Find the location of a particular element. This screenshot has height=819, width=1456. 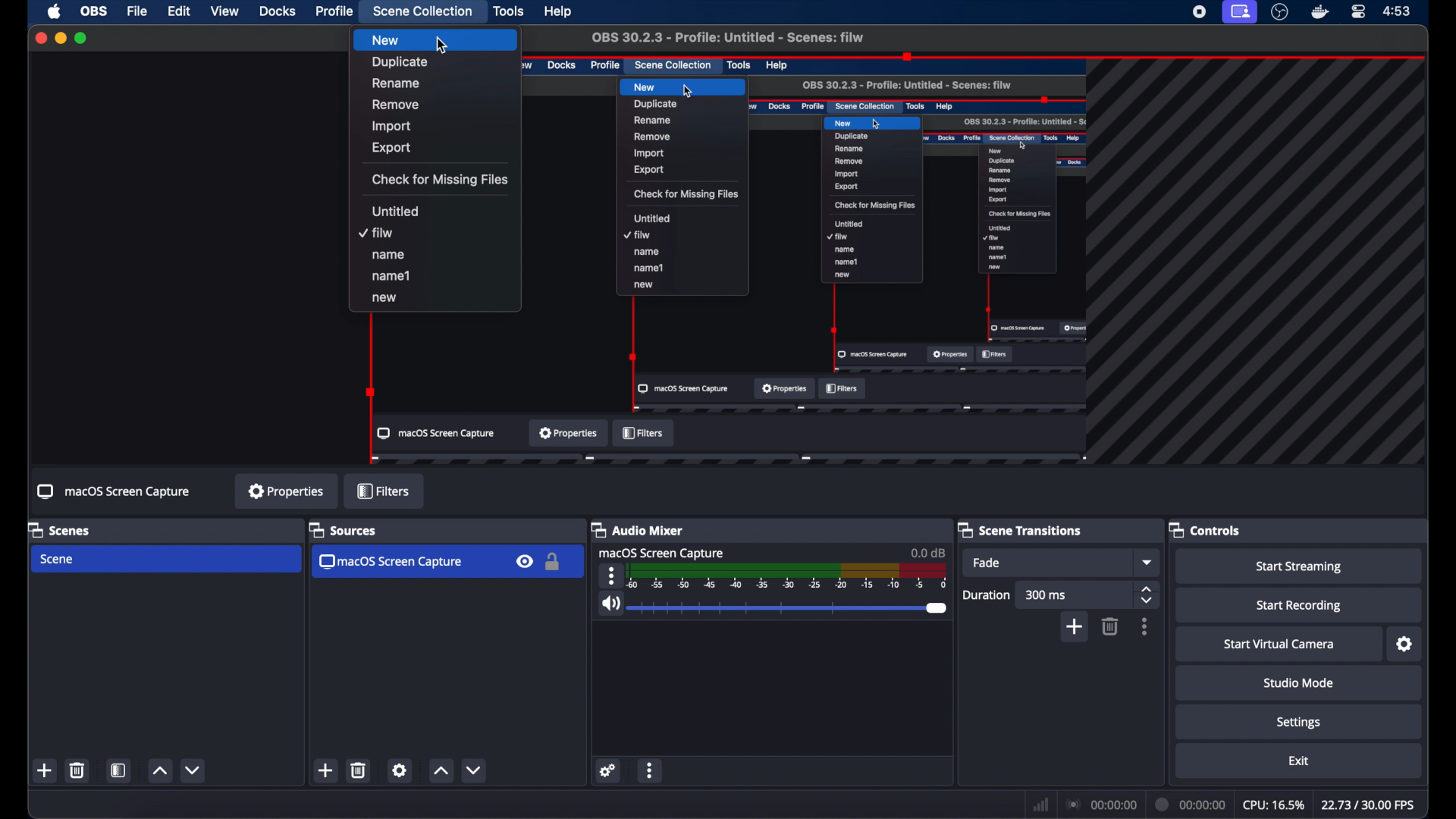

rename is located at coordinates (397, 84).